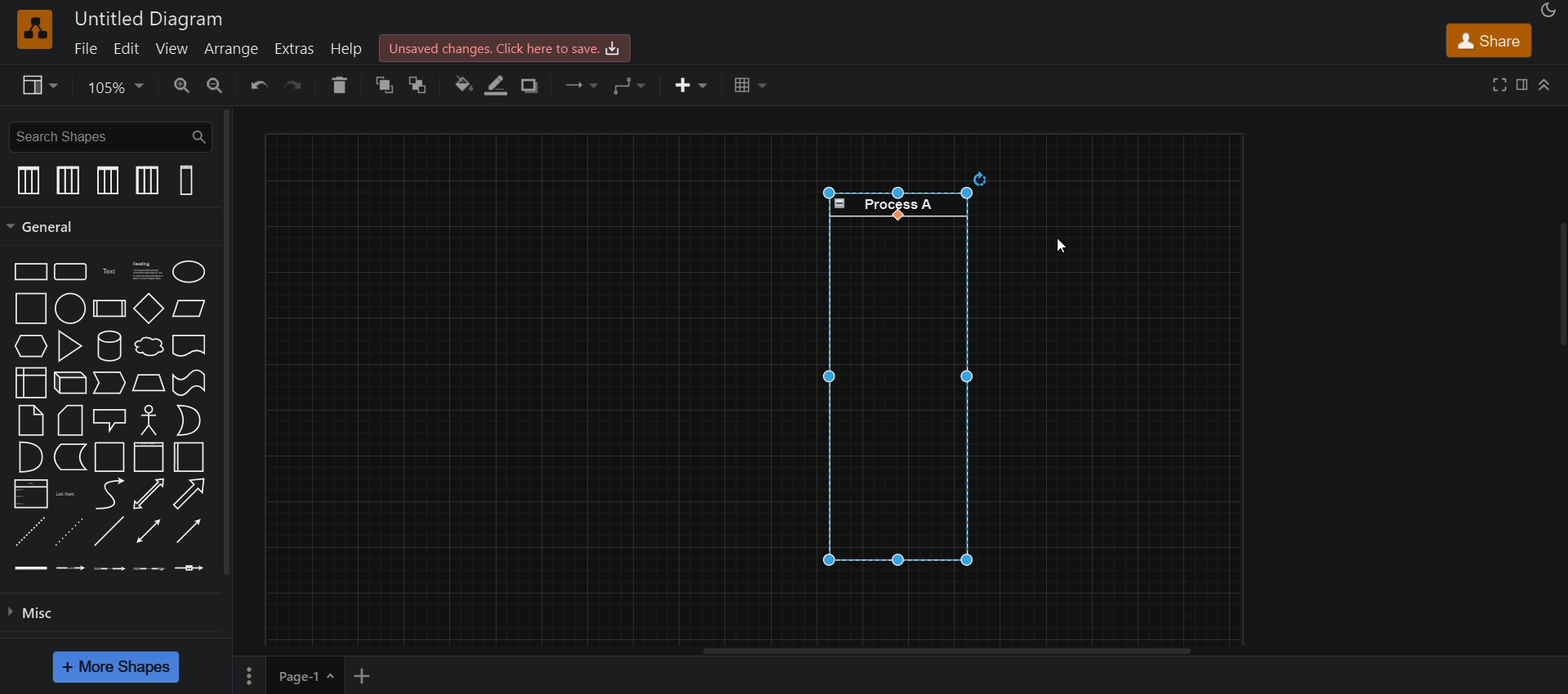 The image size is (1568, 694). I want to click on callout, so click(109, 421).